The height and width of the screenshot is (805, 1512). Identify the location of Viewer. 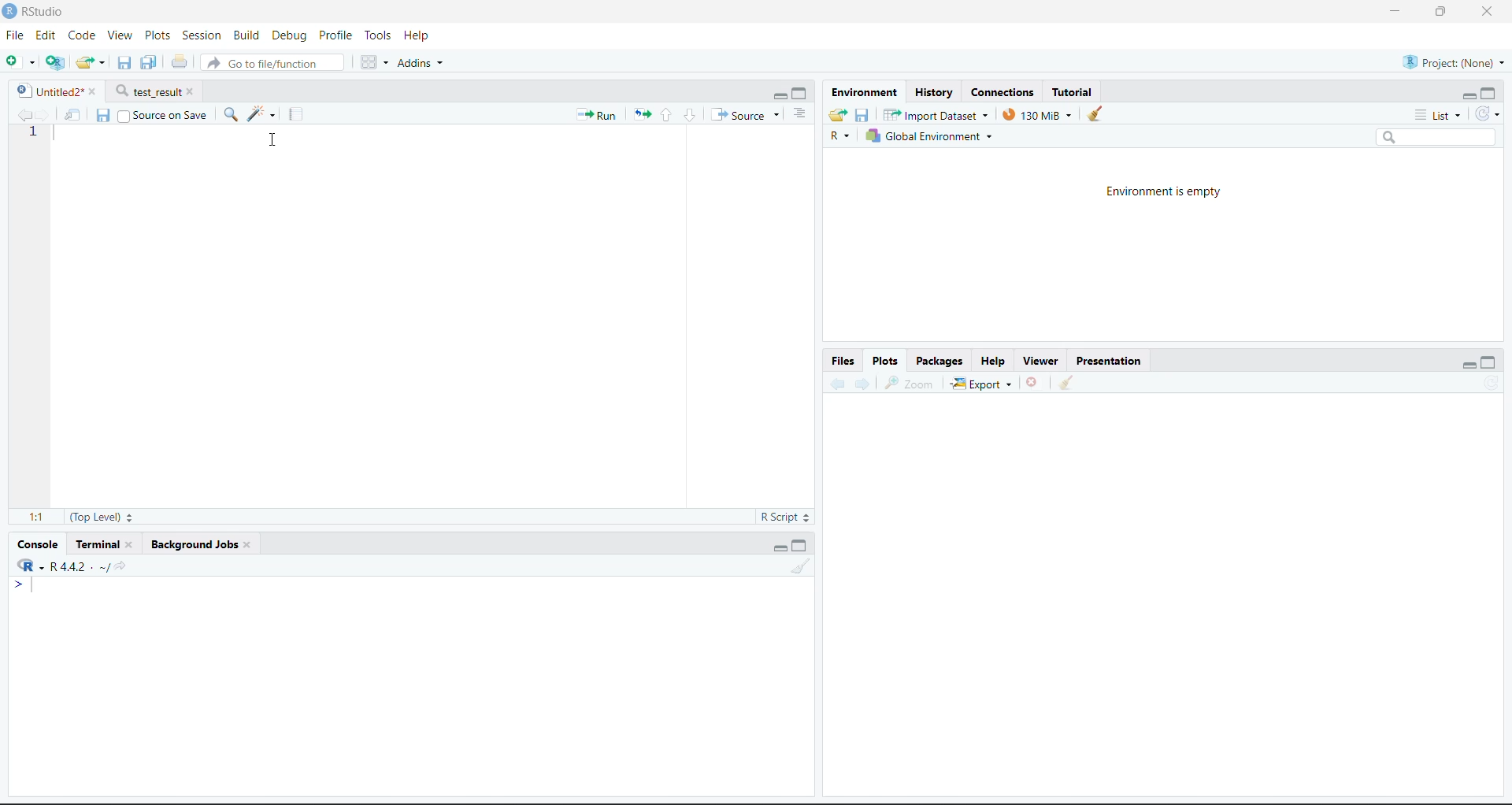
(1039, 357).